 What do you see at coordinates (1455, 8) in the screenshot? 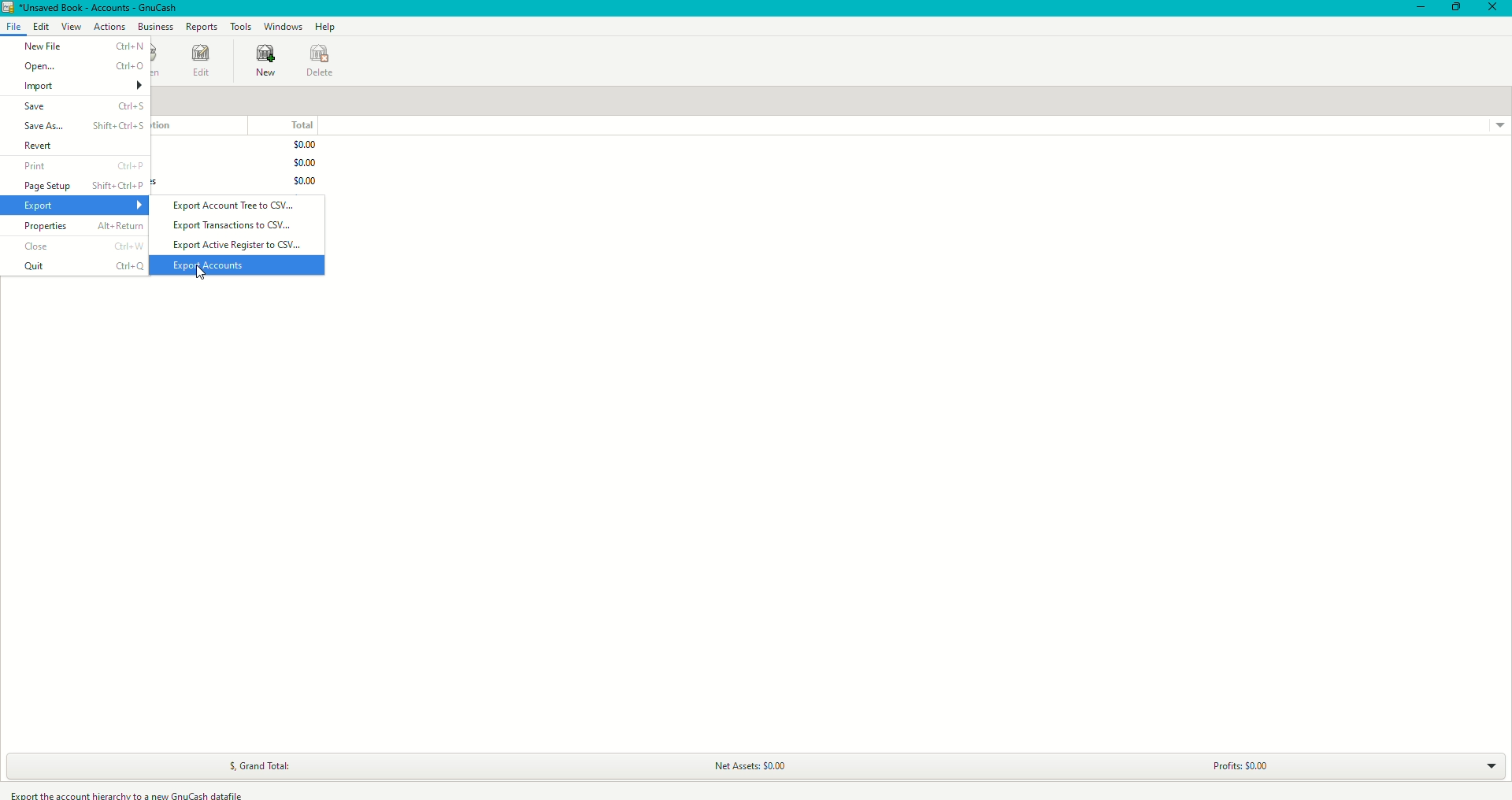
I see `Restore` at bounding box center [1455, 8].